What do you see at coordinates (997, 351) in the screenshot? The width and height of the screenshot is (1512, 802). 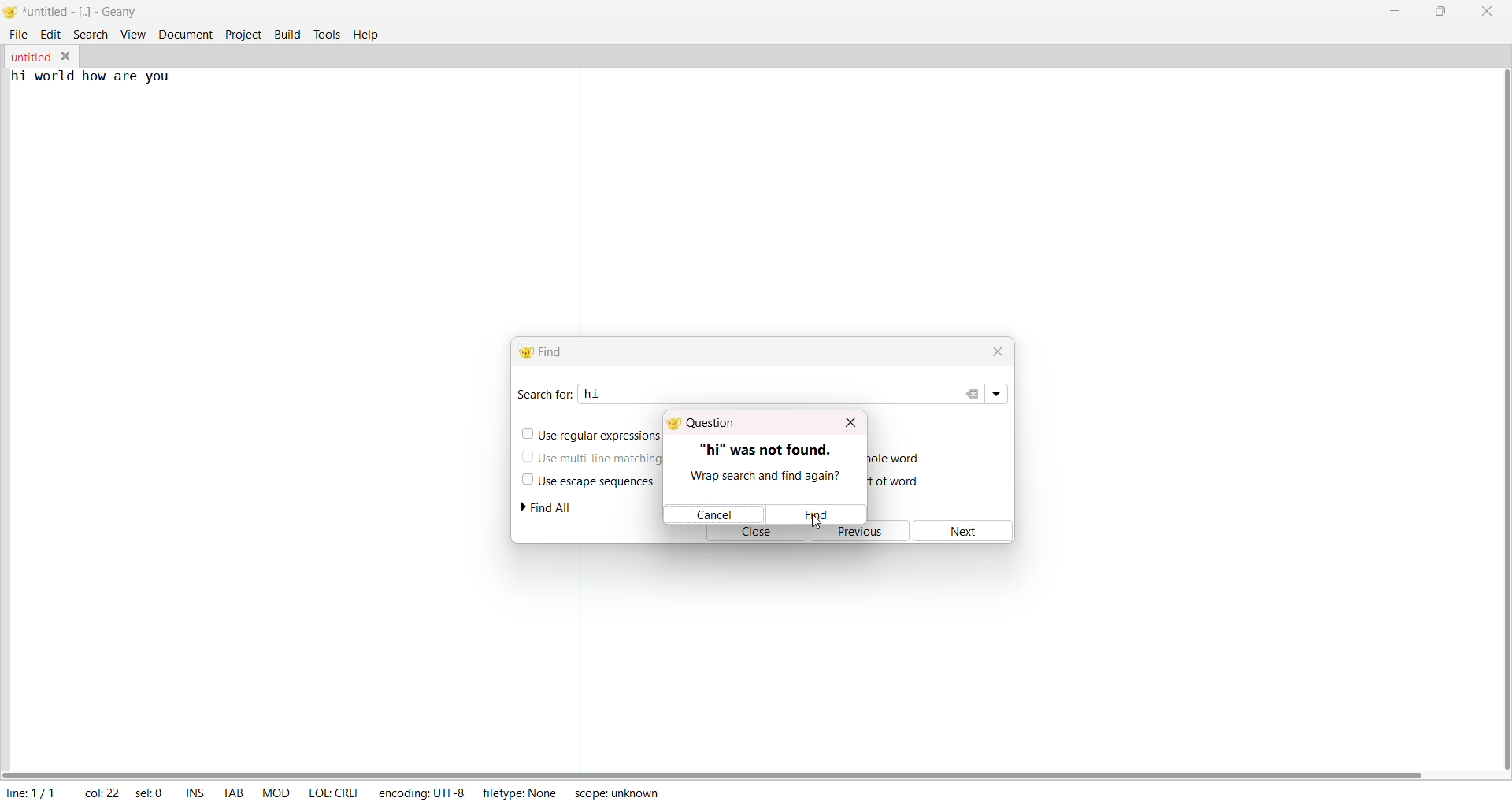 I see `close` at bounding box center [997, 351].